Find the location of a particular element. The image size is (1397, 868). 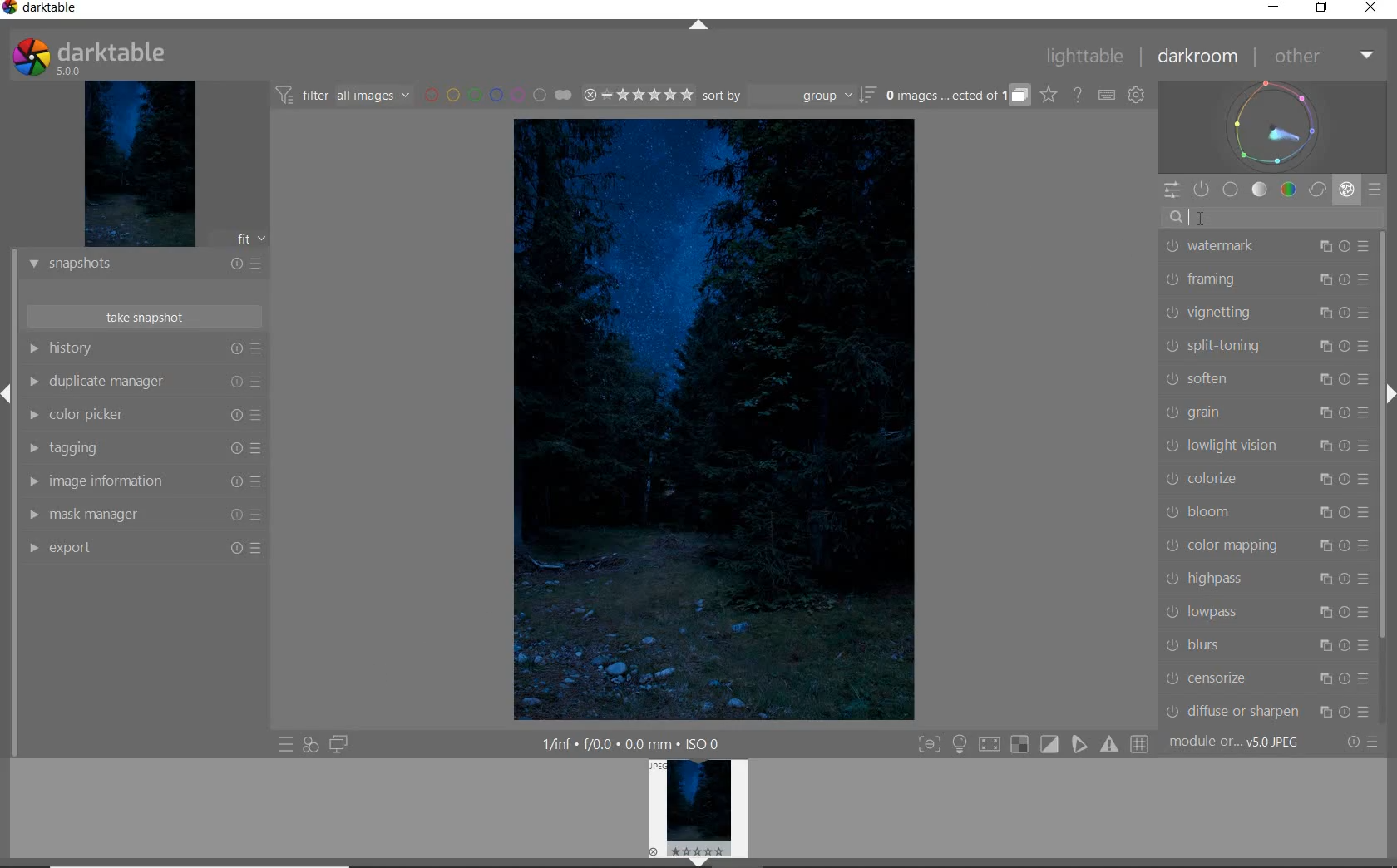

MINIMIZE is located at coordinates (1275, 7).